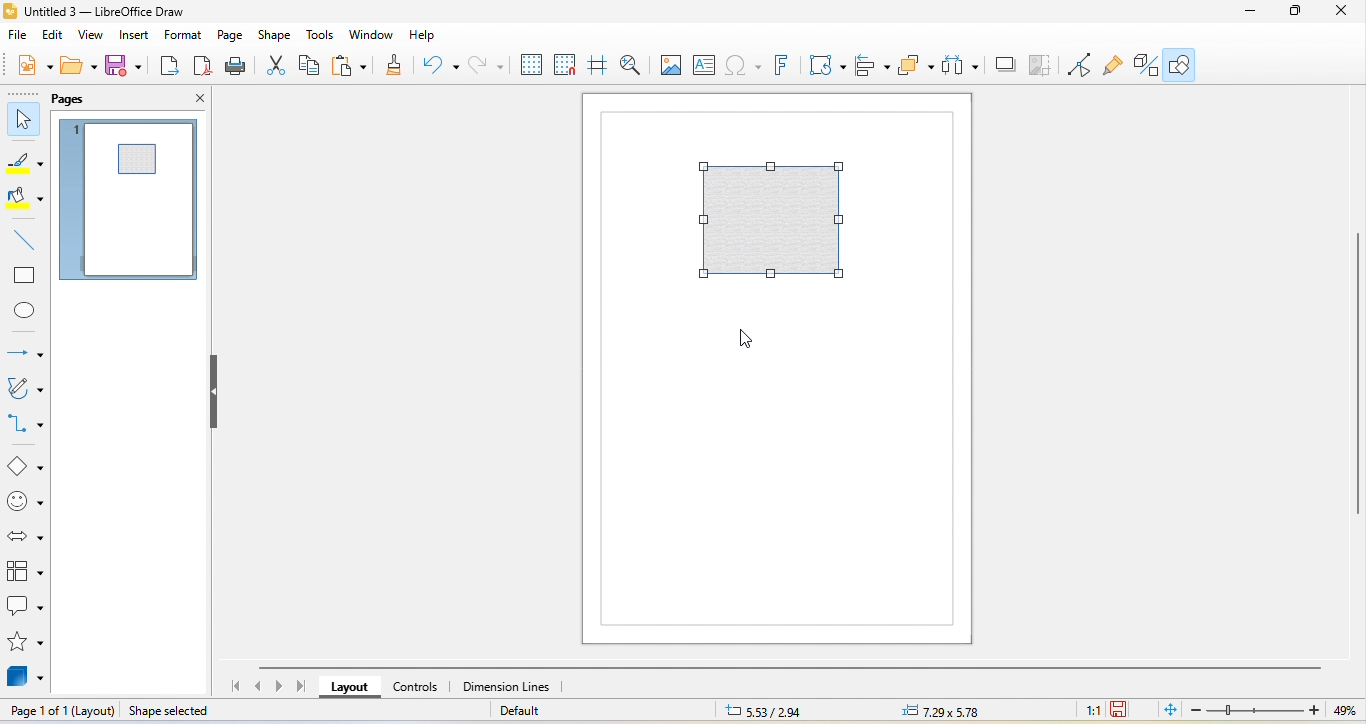 The height and width of the screenshot is (724, 1366). Describe the element at coordinates (517, 687) in the screenshot. I see `dimension lines` at that location.